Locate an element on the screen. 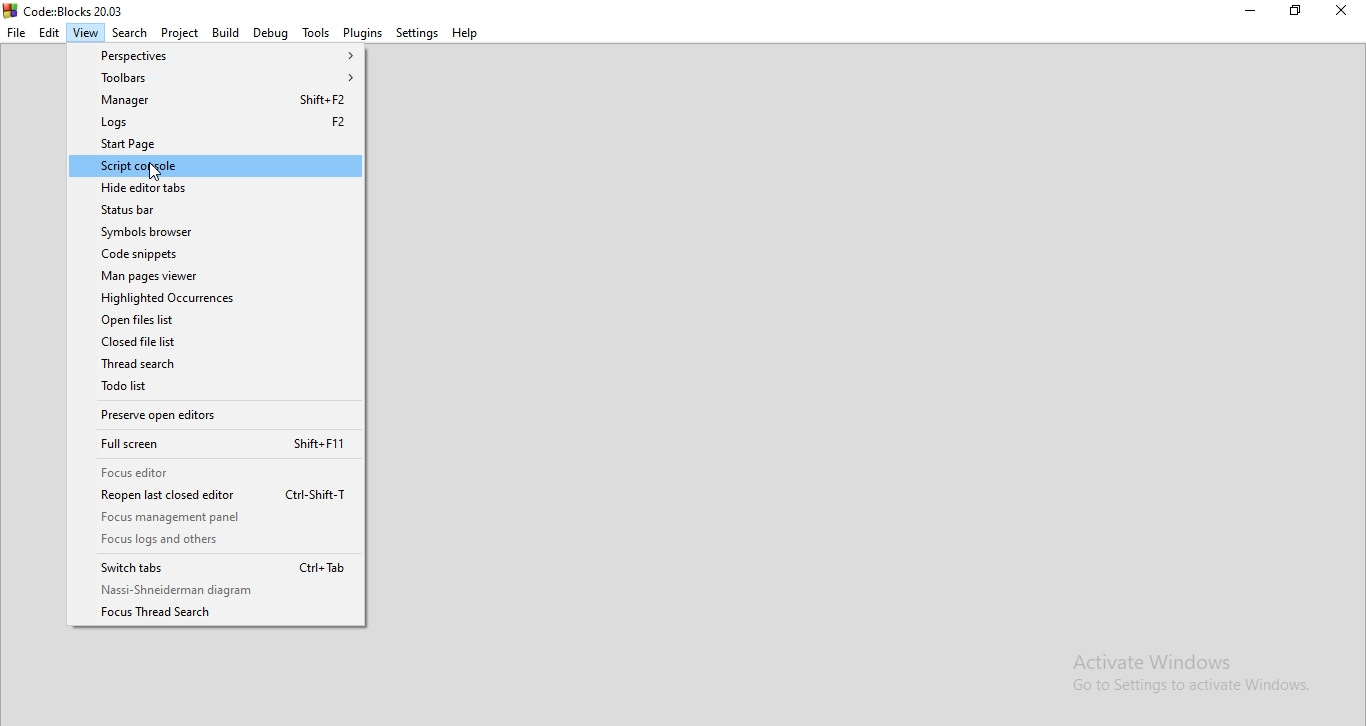 The height and width of the screenshot is (726, 1366). Restore is located at coordinates (1297, 13).